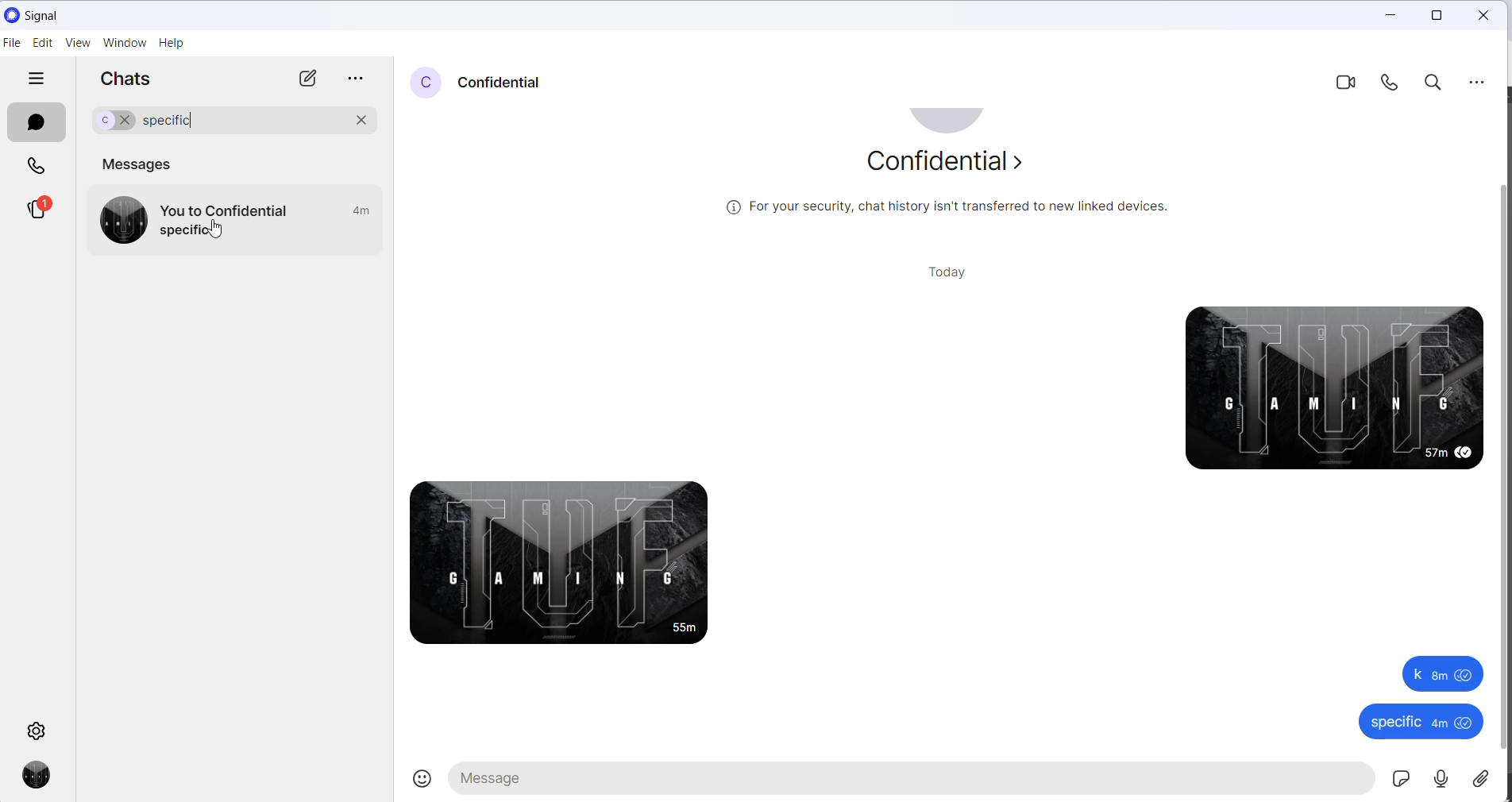 The image size is (1512, 802). What do you see at coordinates (904, 782) in the screenshot?
I see `message text area` at bounding box center [904, 782].